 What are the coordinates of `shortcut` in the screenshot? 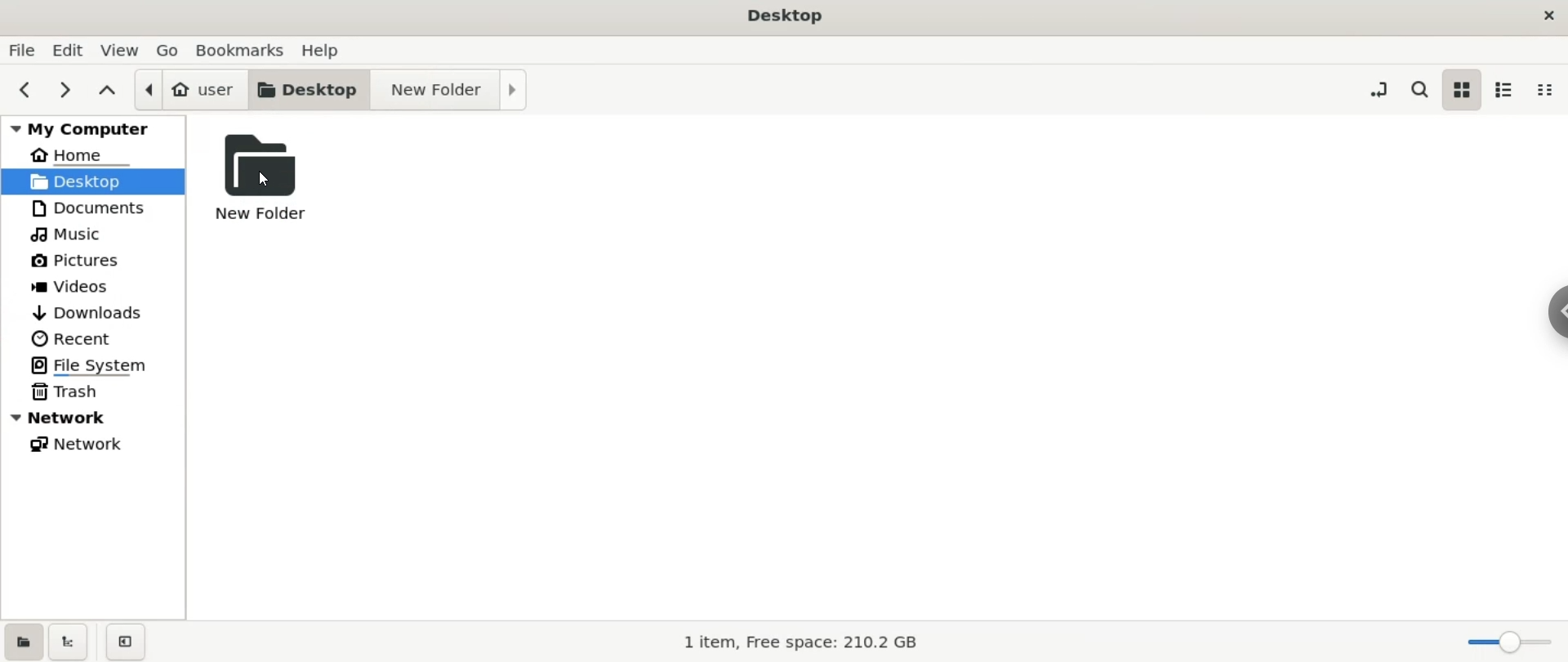 It's located at (1556, 312).